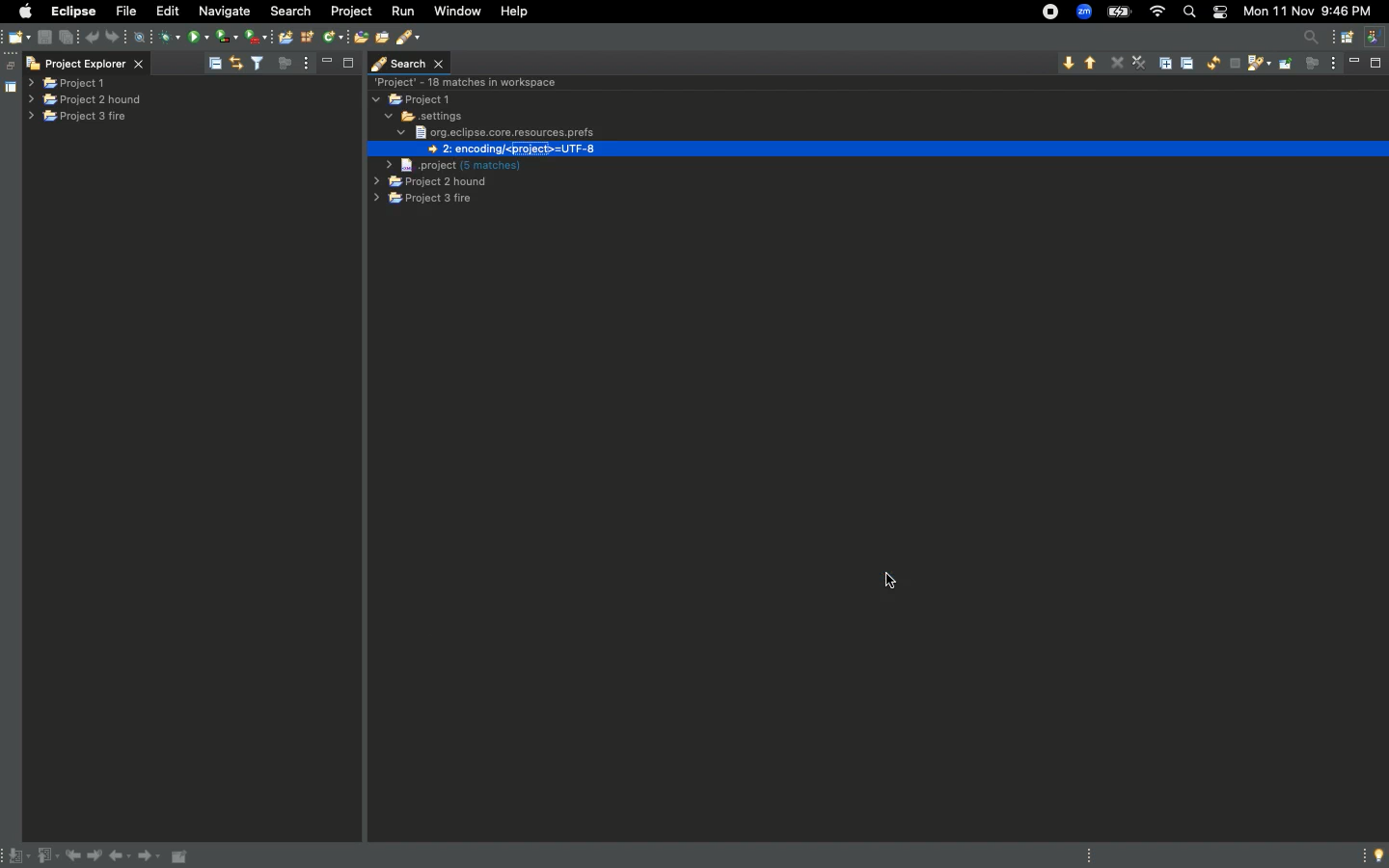 The image size is (1389, 868). What do you see at coordinates (1, 88) in the screenshot?
I see `shared area` at bounding box center [1, 88].